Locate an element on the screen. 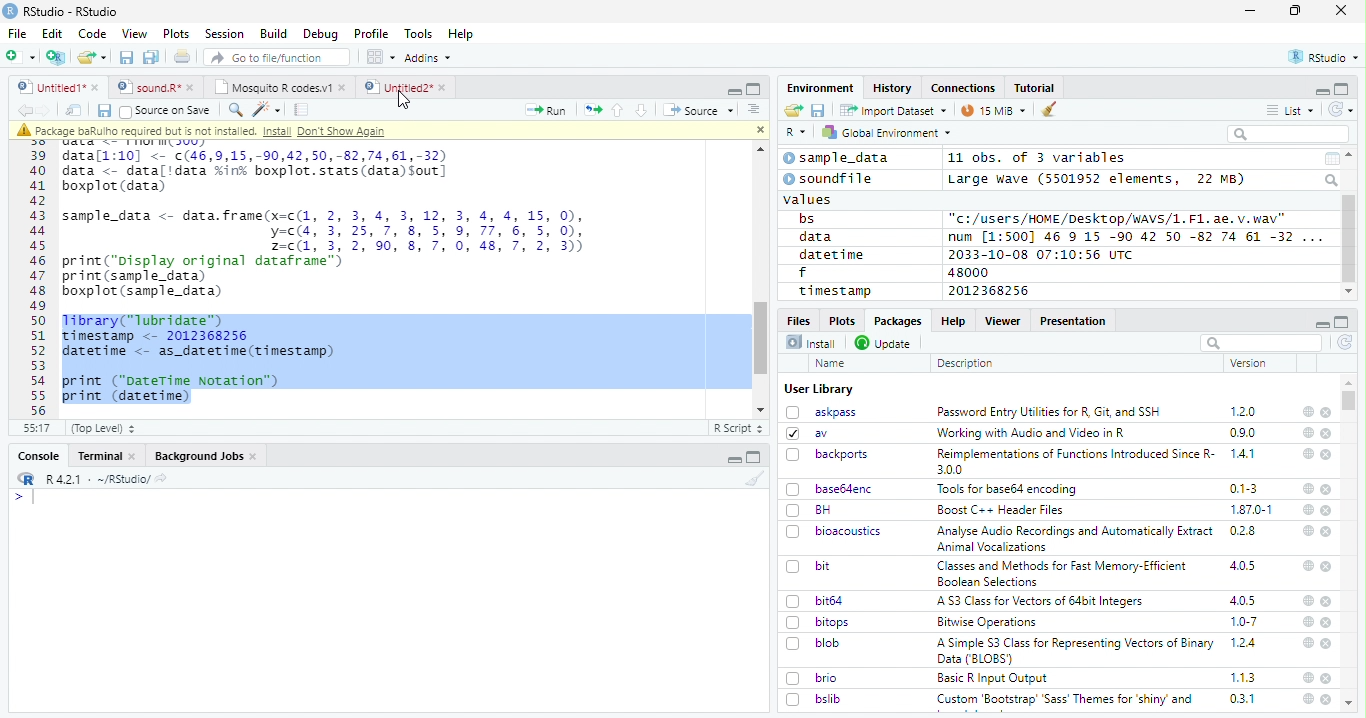 This screenshot has width=1366, height=718. Go to next section is located at coordinates (644, 110).